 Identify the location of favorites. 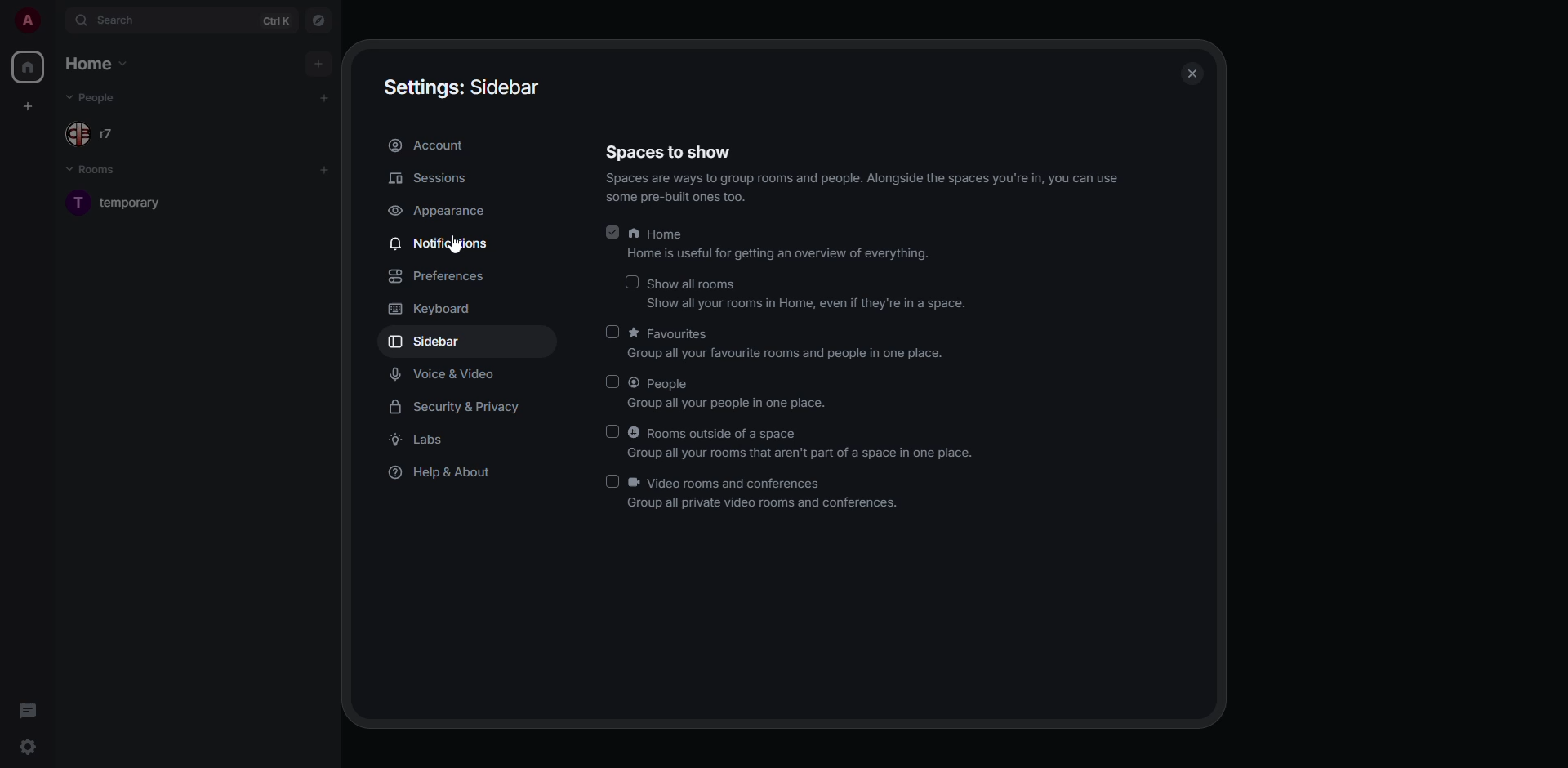
(786, 346).